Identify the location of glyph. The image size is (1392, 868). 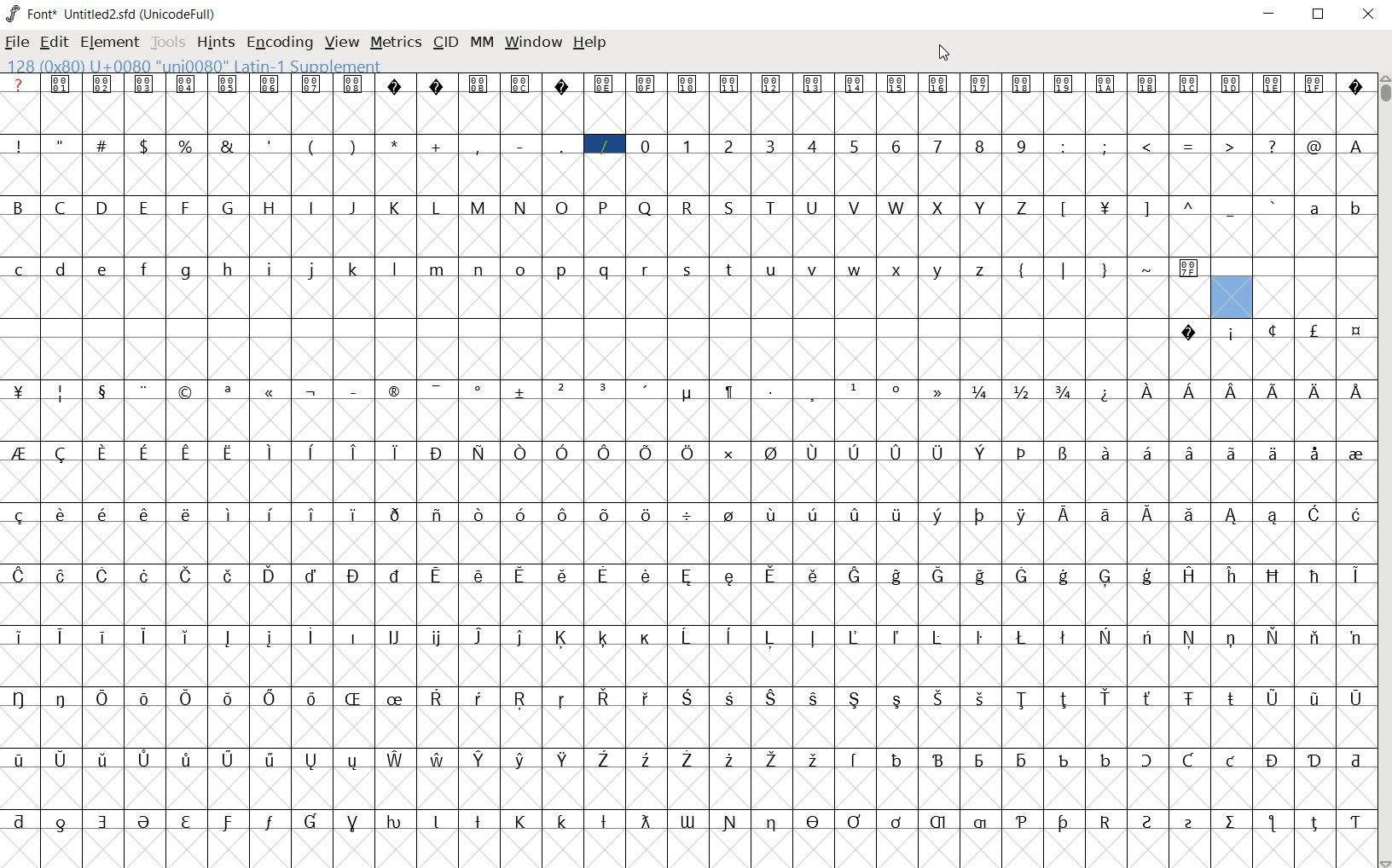
(853, 84).